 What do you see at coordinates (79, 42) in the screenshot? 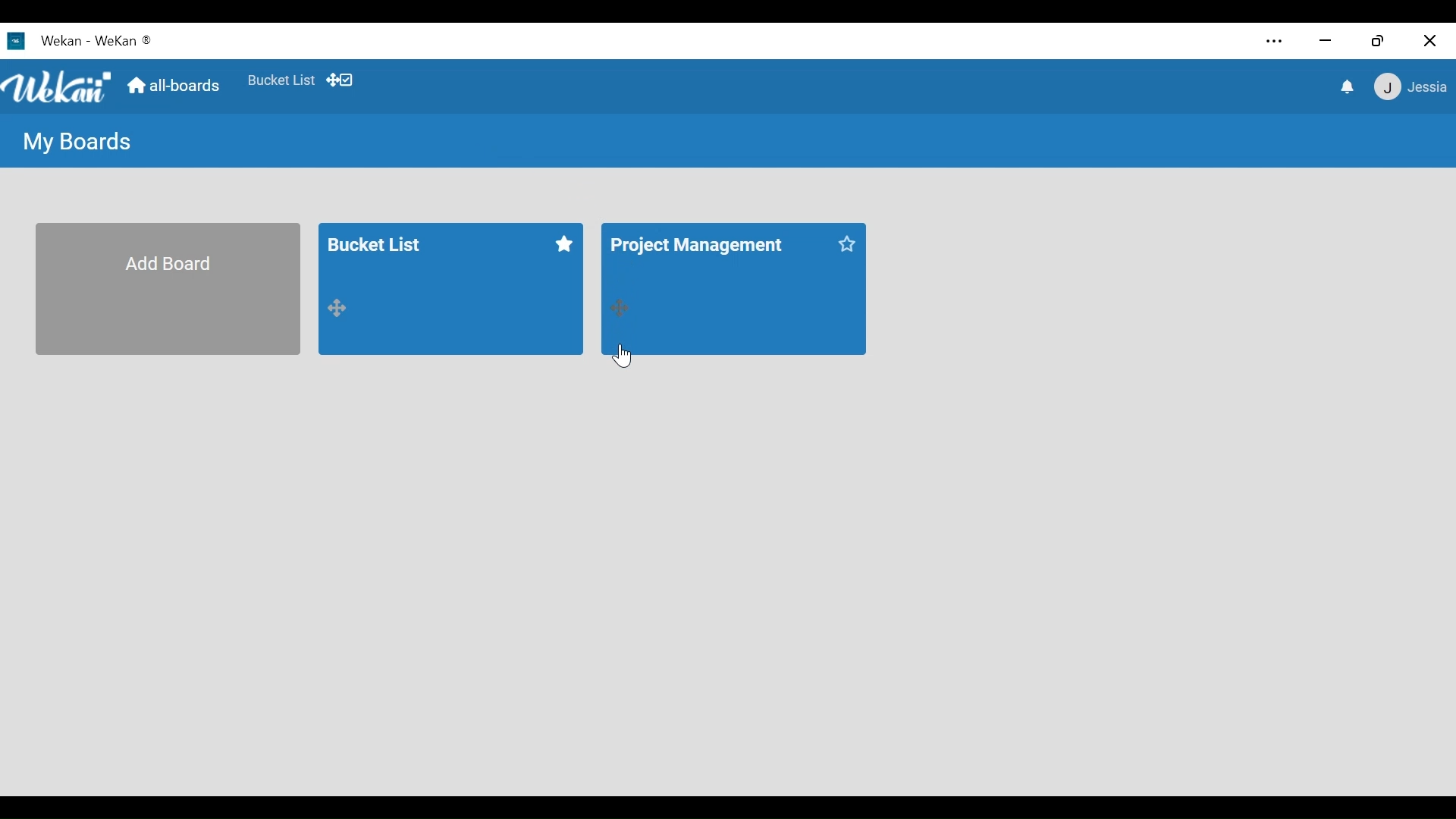
I see `Wekan Desktop icon` at bounding box center [79, 42].